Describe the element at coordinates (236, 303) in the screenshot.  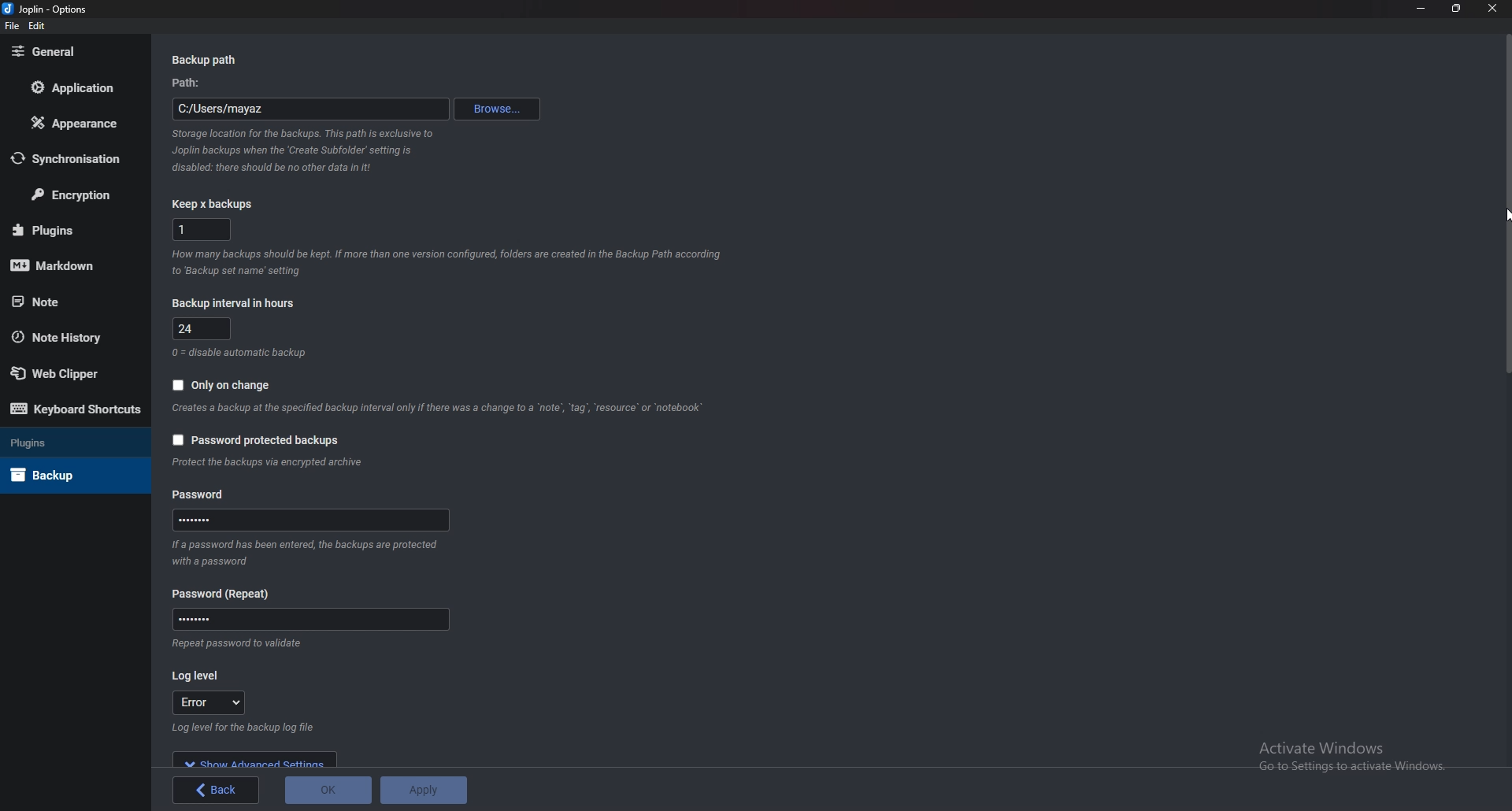
I see `Backup interval in hours` at that location.